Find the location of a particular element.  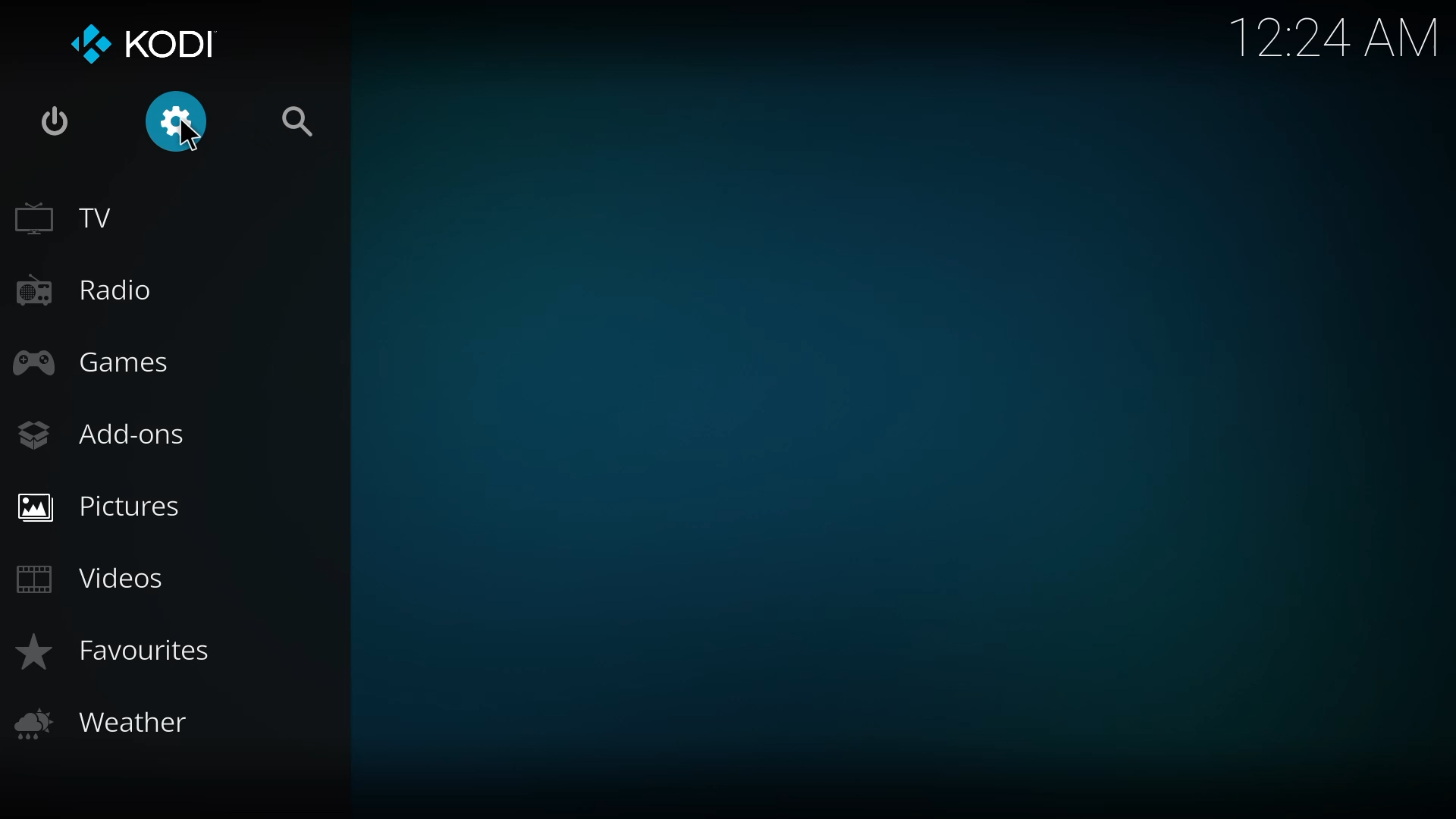

time is located at coordinates (1330, 39).